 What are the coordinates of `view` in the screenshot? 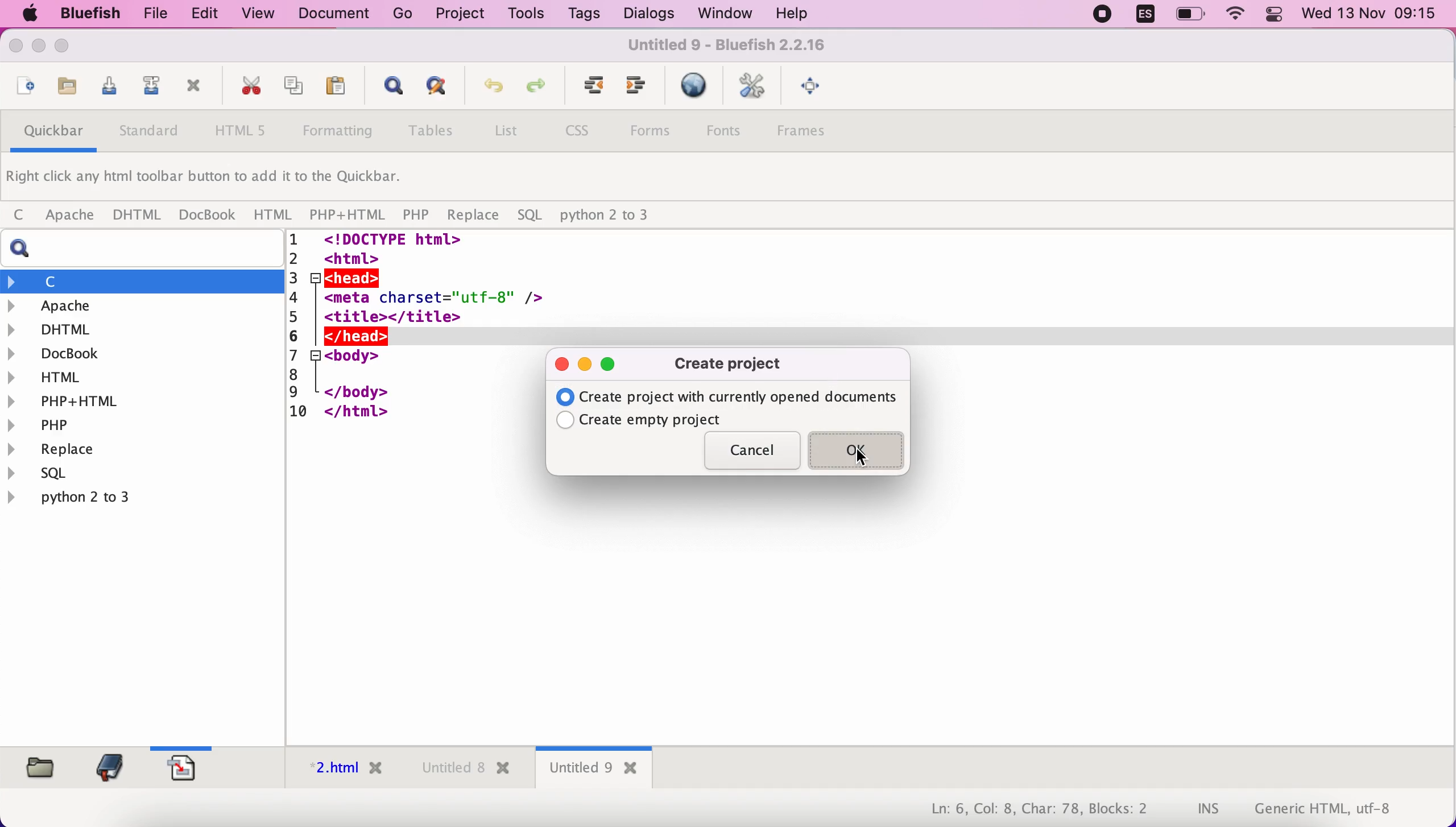 It's located at (259, 13).